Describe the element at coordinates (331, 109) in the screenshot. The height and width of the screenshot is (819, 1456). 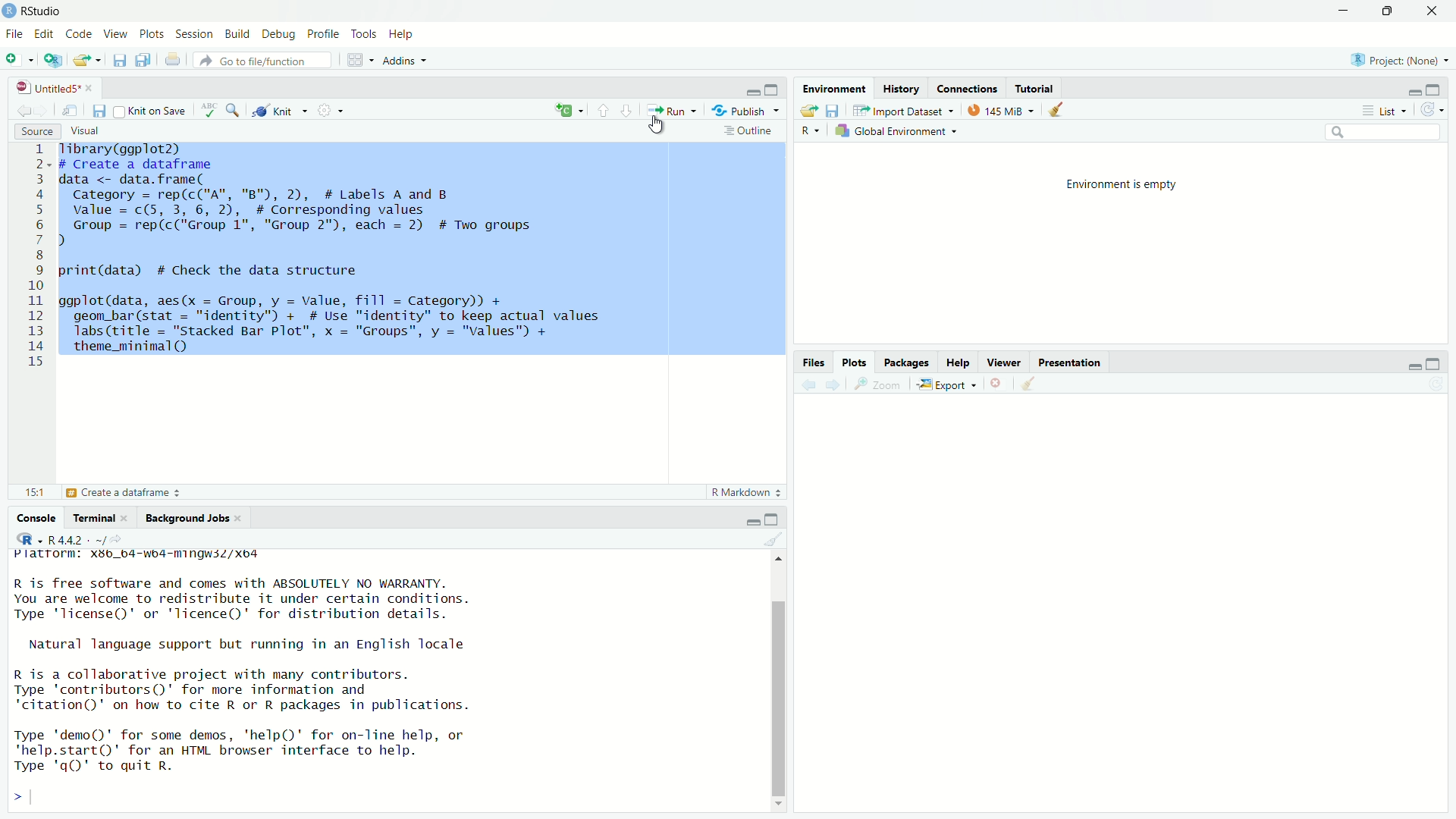
I see `Settings` at that location.